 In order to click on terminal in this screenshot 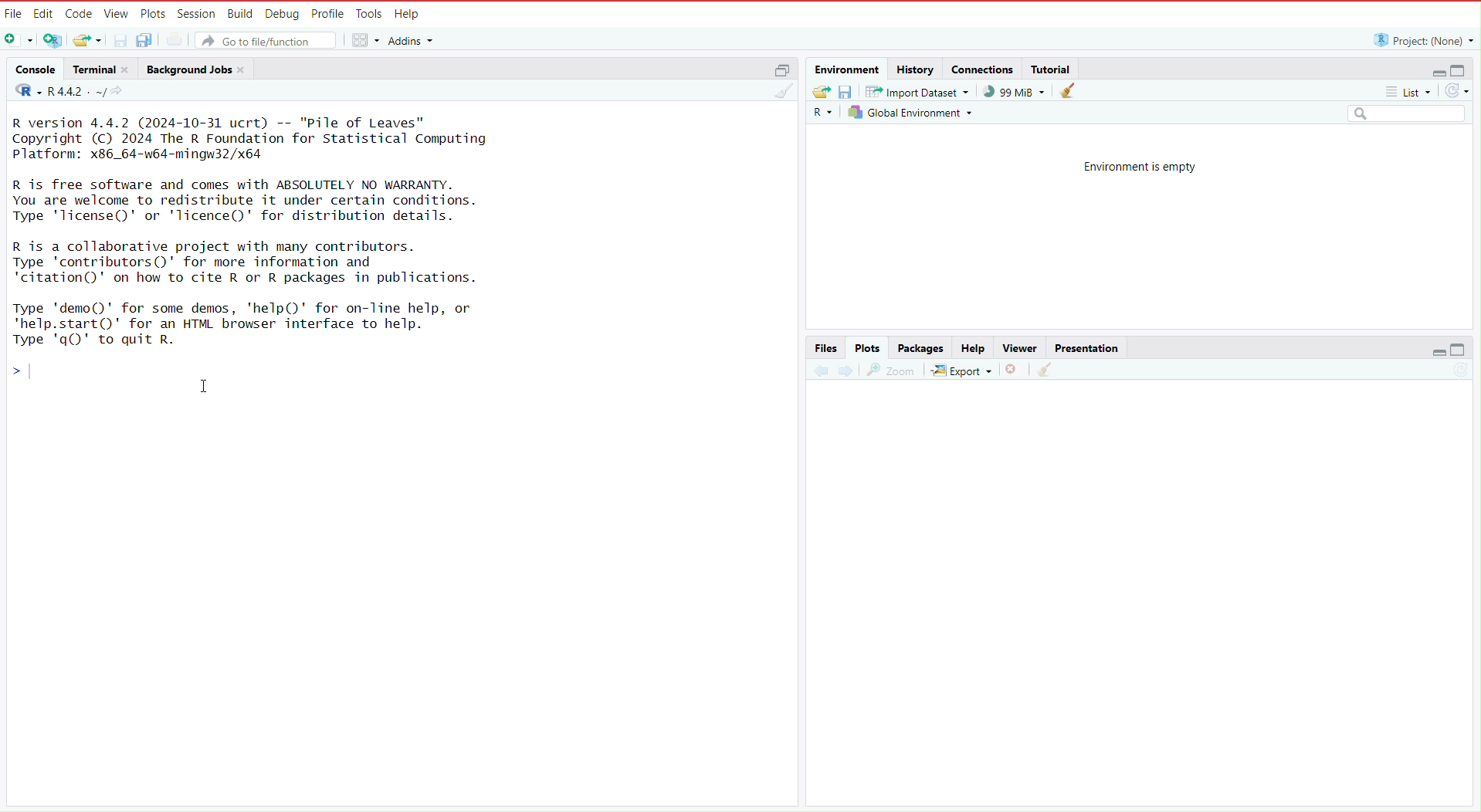, I will do `click(91, 69)`.